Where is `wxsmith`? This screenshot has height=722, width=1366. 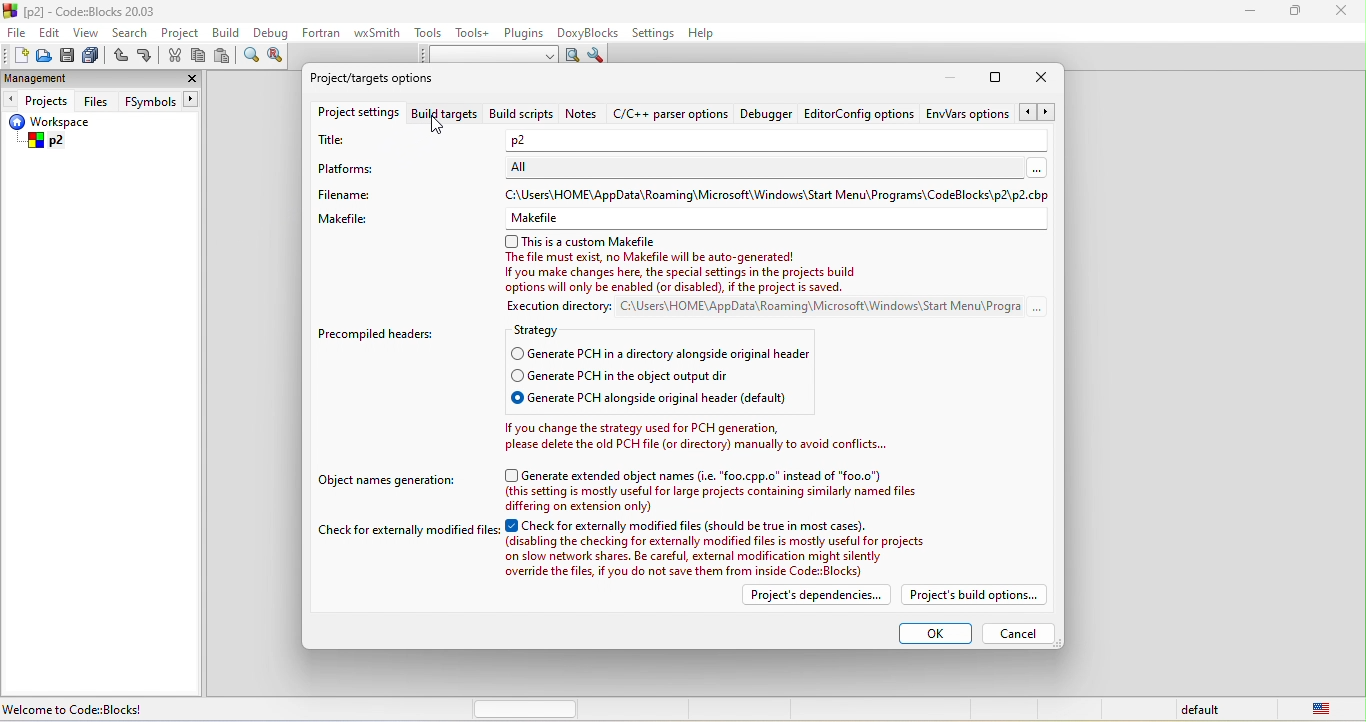 wxsmith is located at coordinates (379, 32).